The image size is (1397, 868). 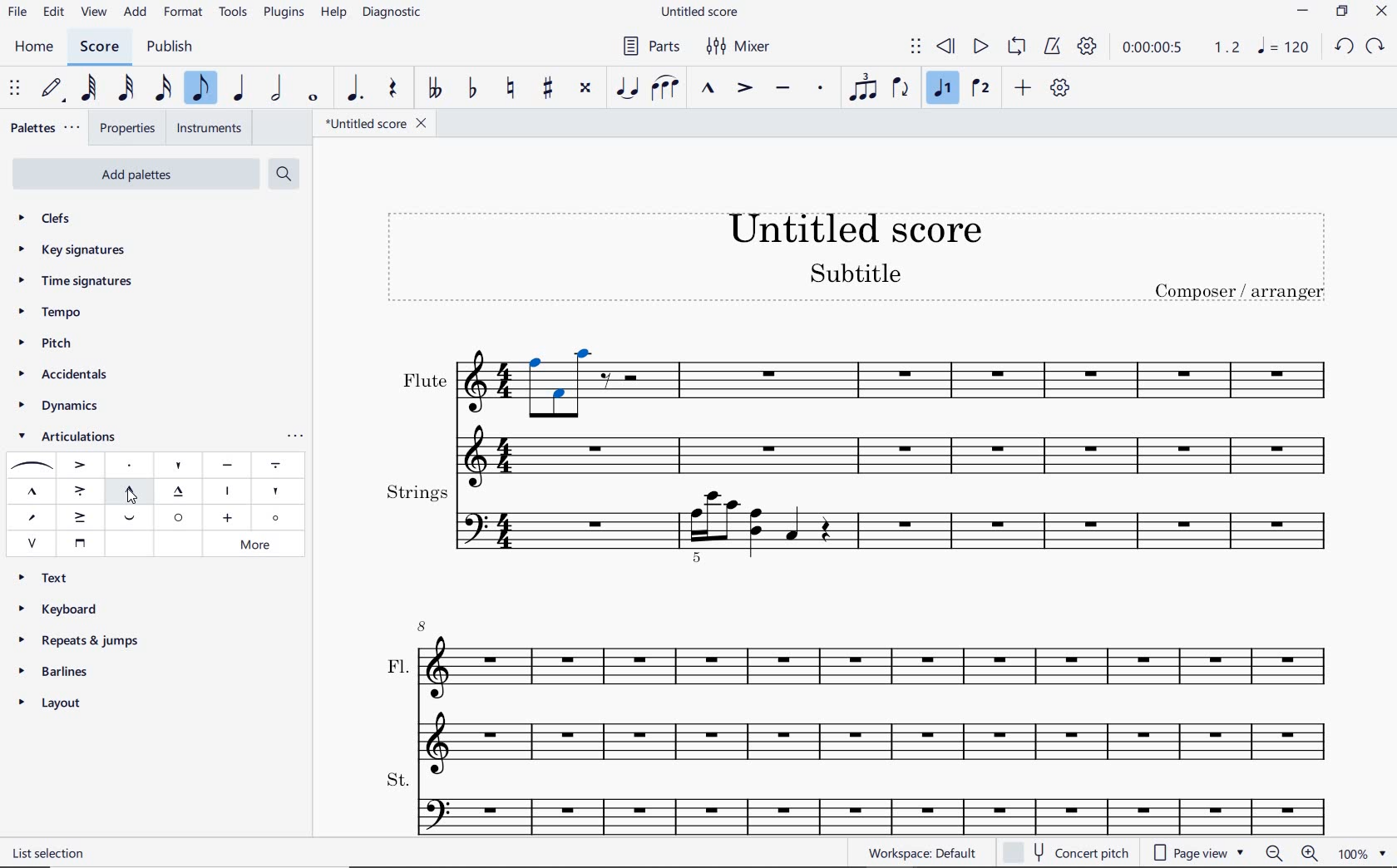 I want to click on 16TH NOTE, so click(x=163, y=89).